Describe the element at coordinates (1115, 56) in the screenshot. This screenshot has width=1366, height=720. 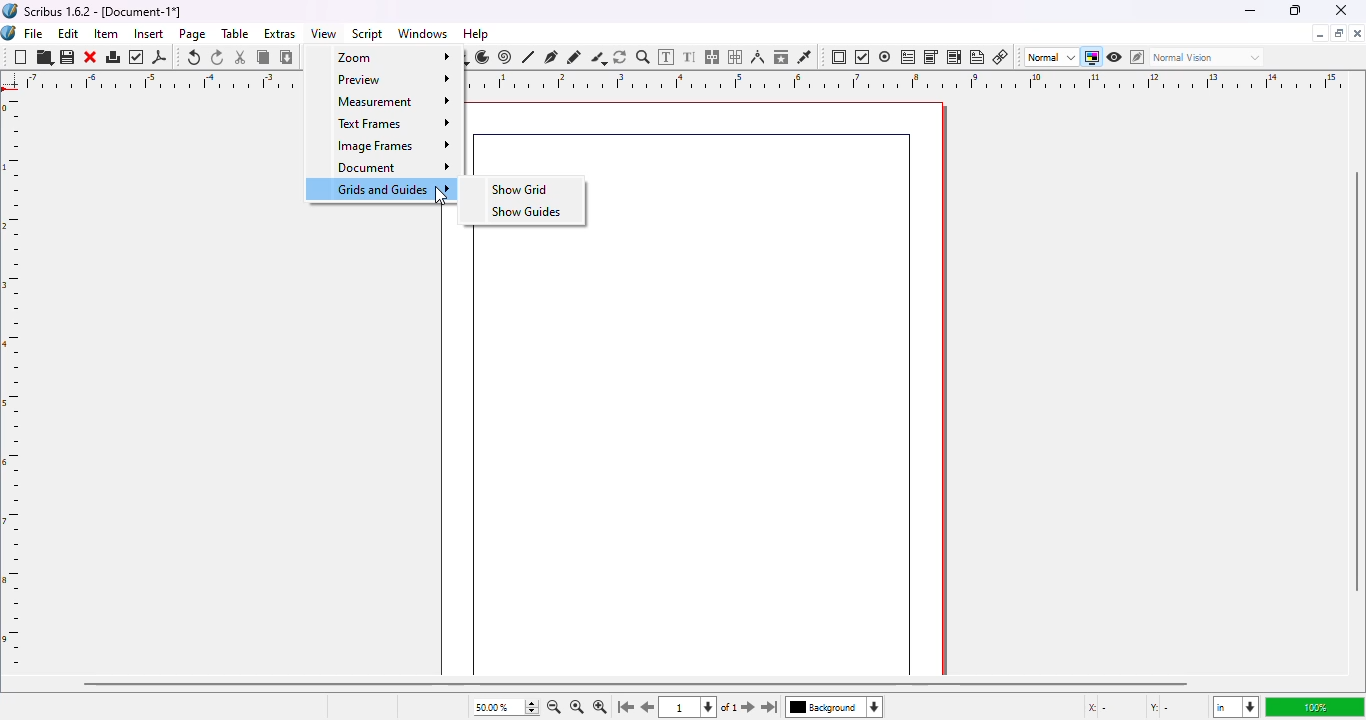
I see `preview mode` at that location.